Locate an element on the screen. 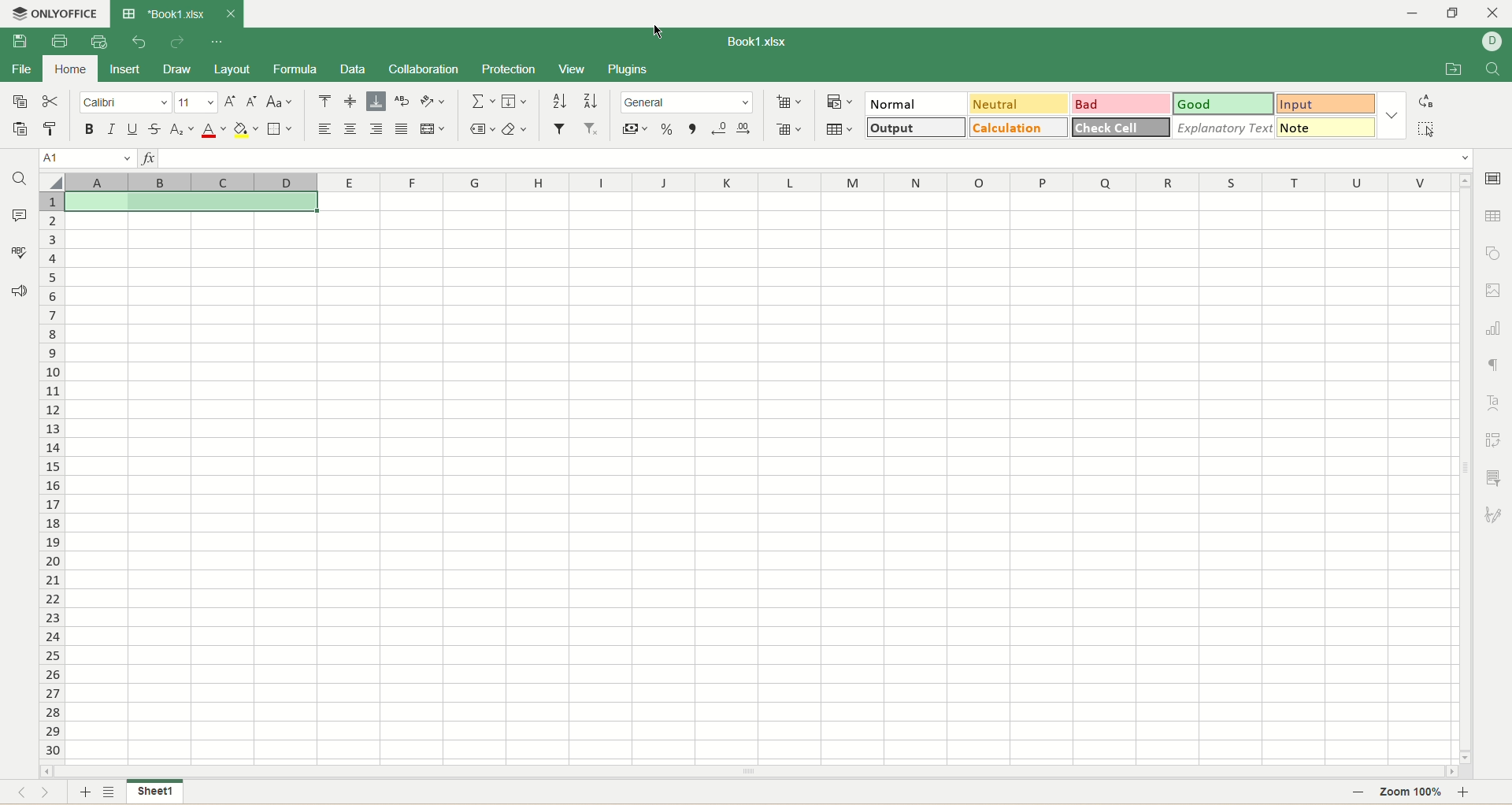 This screenshot has height=805, width=1512. align top is located at coordinates (324, 103).